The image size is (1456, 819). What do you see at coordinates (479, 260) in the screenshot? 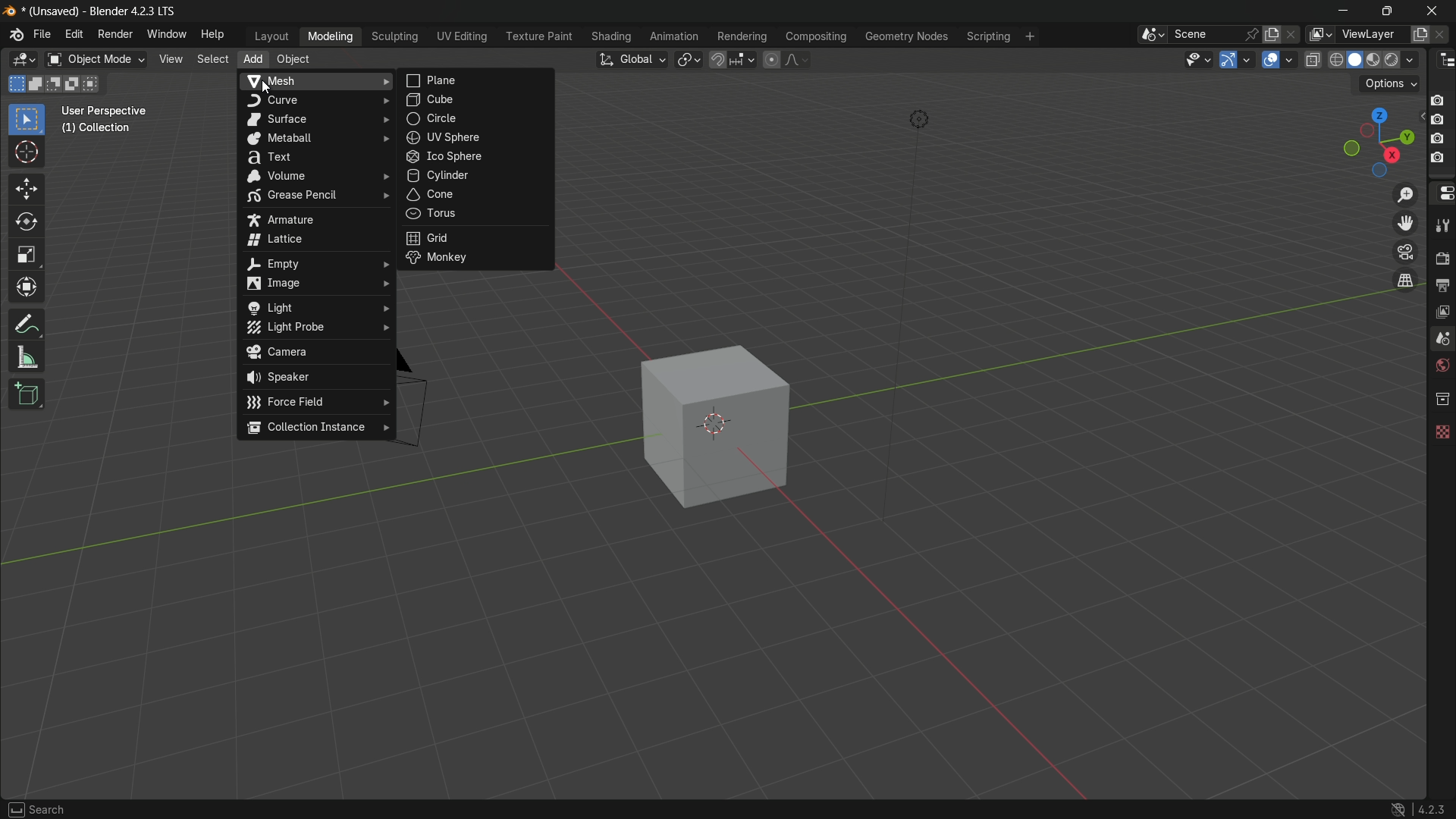
I see `monkey` at bounding box center [479, 260].